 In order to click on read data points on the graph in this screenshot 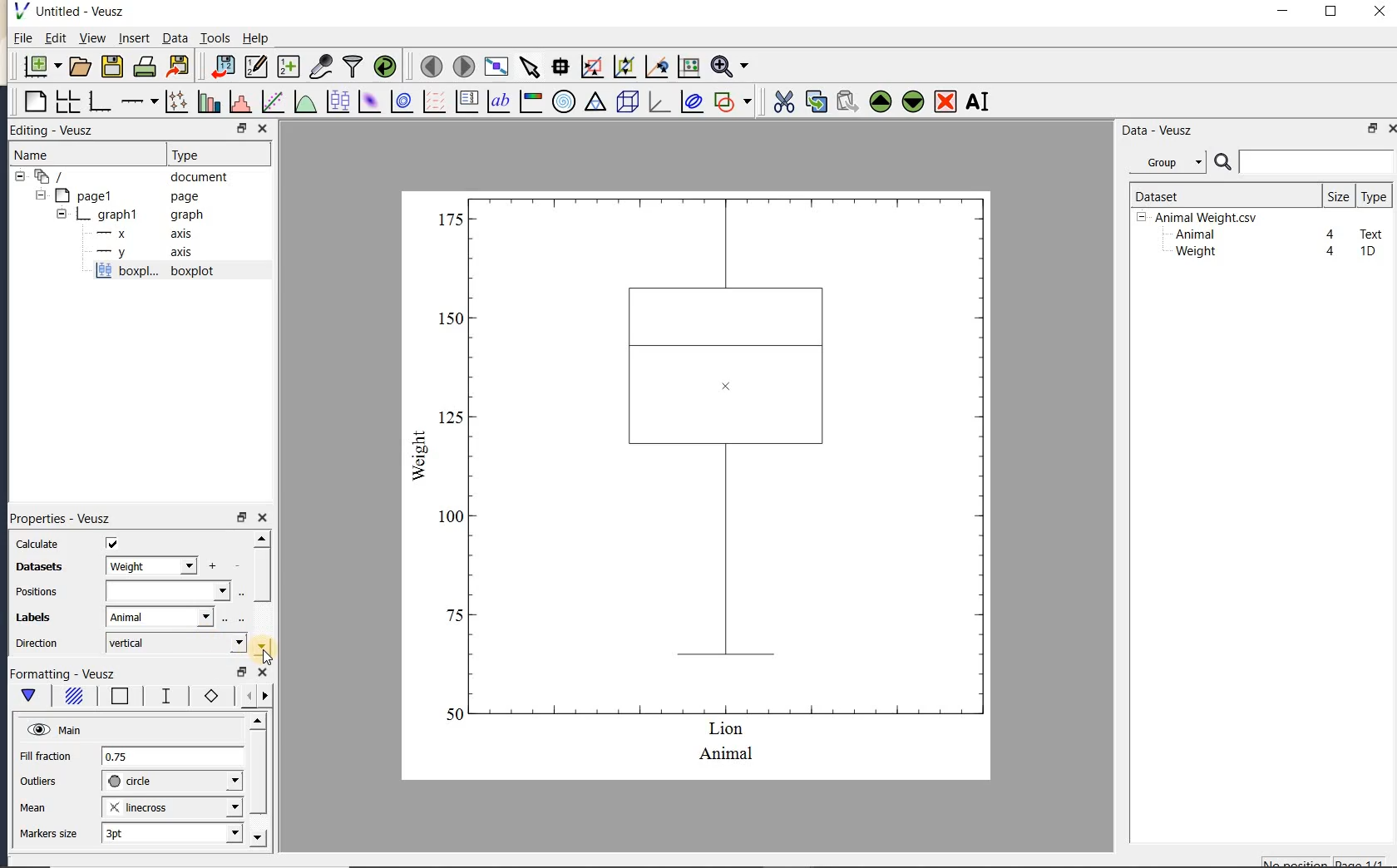, I will do `click(560, 67)`.